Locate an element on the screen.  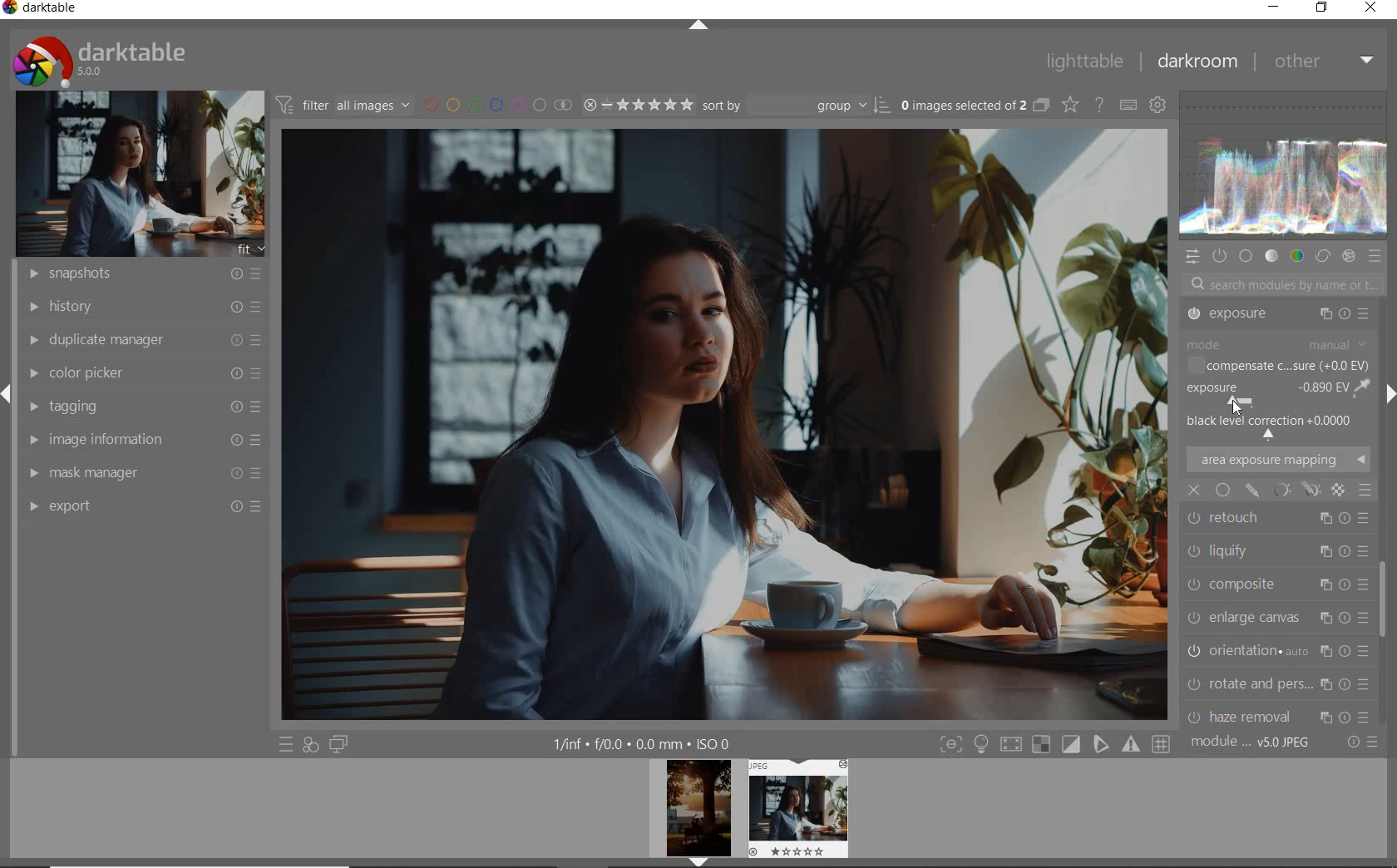
EXPORT is located at coordinates (146, 506).